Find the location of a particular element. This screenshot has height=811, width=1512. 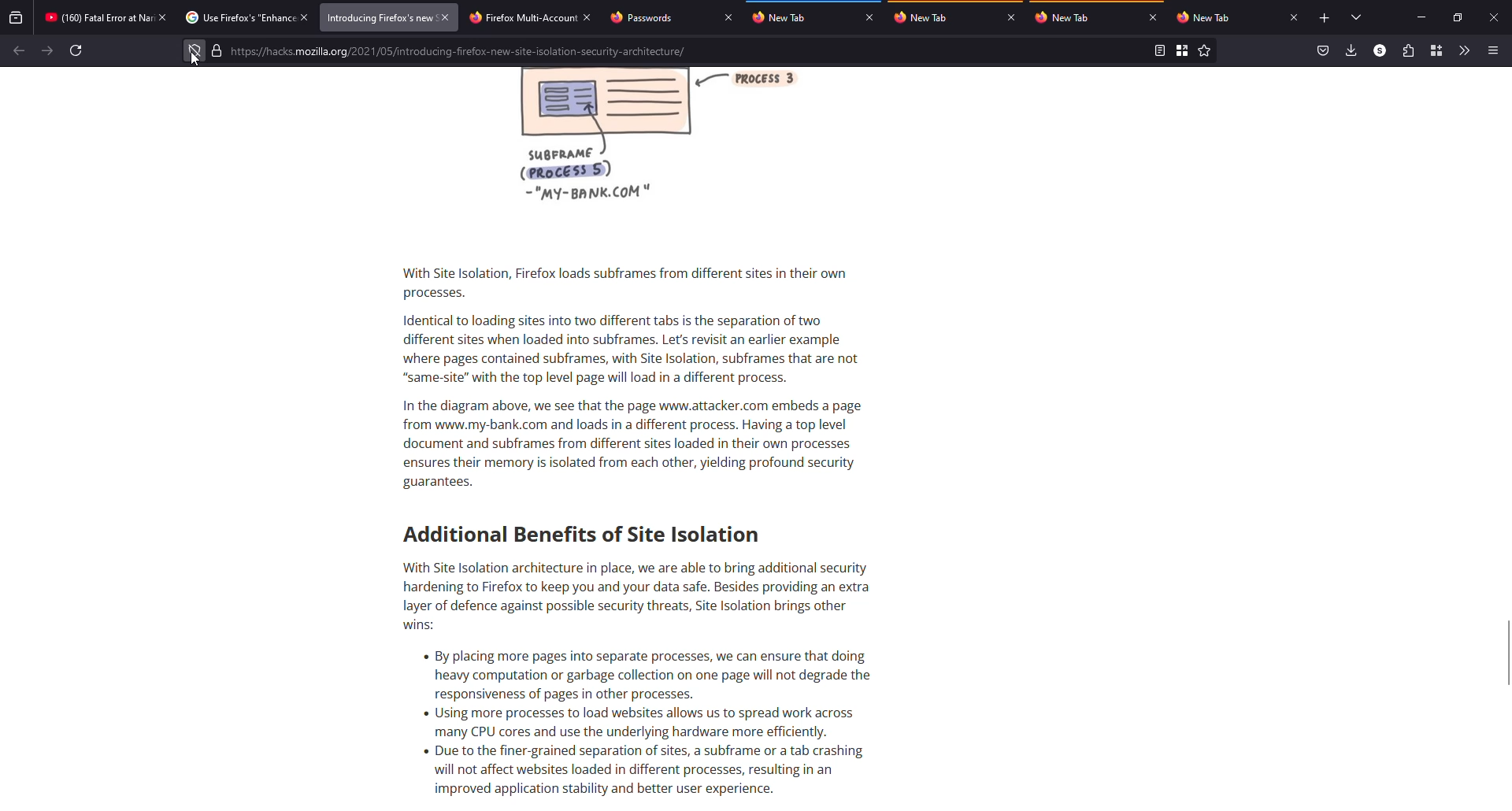

extensions is located at coordinates (1407, 50).